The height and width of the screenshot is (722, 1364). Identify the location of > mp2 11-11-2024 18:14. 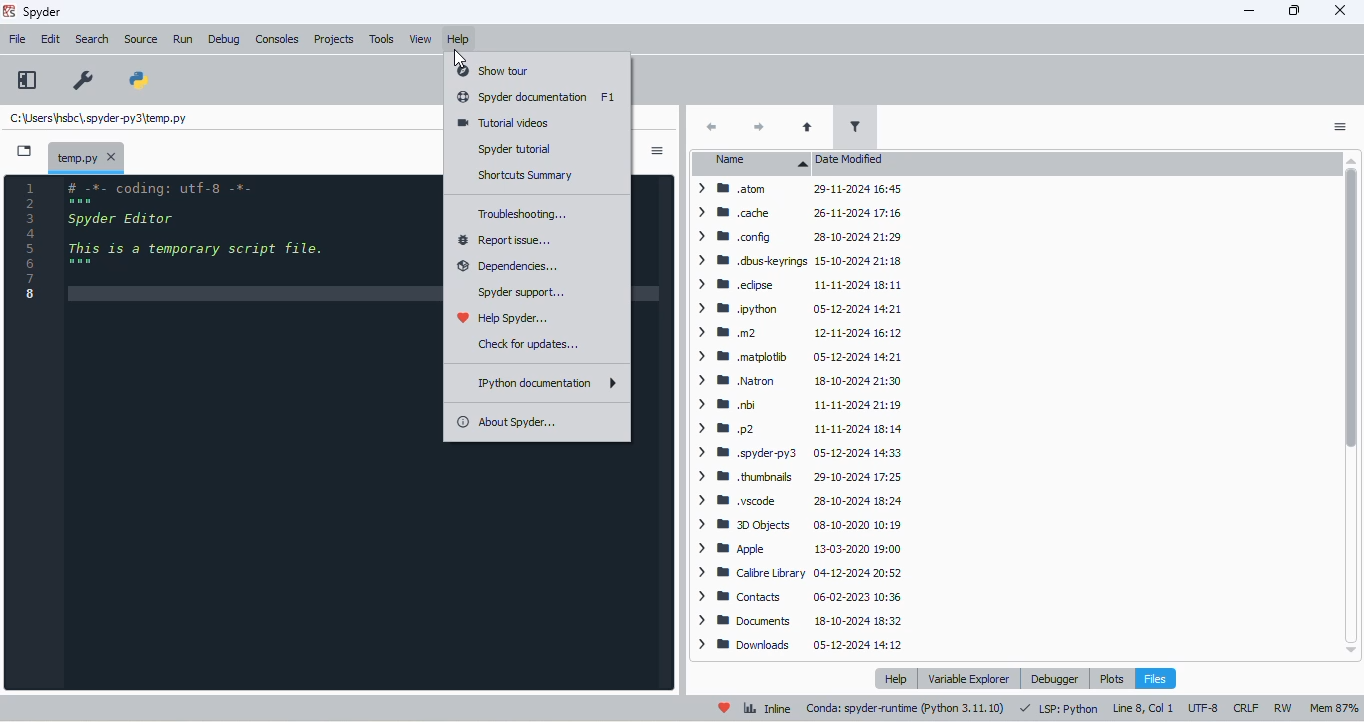
(795, 428).